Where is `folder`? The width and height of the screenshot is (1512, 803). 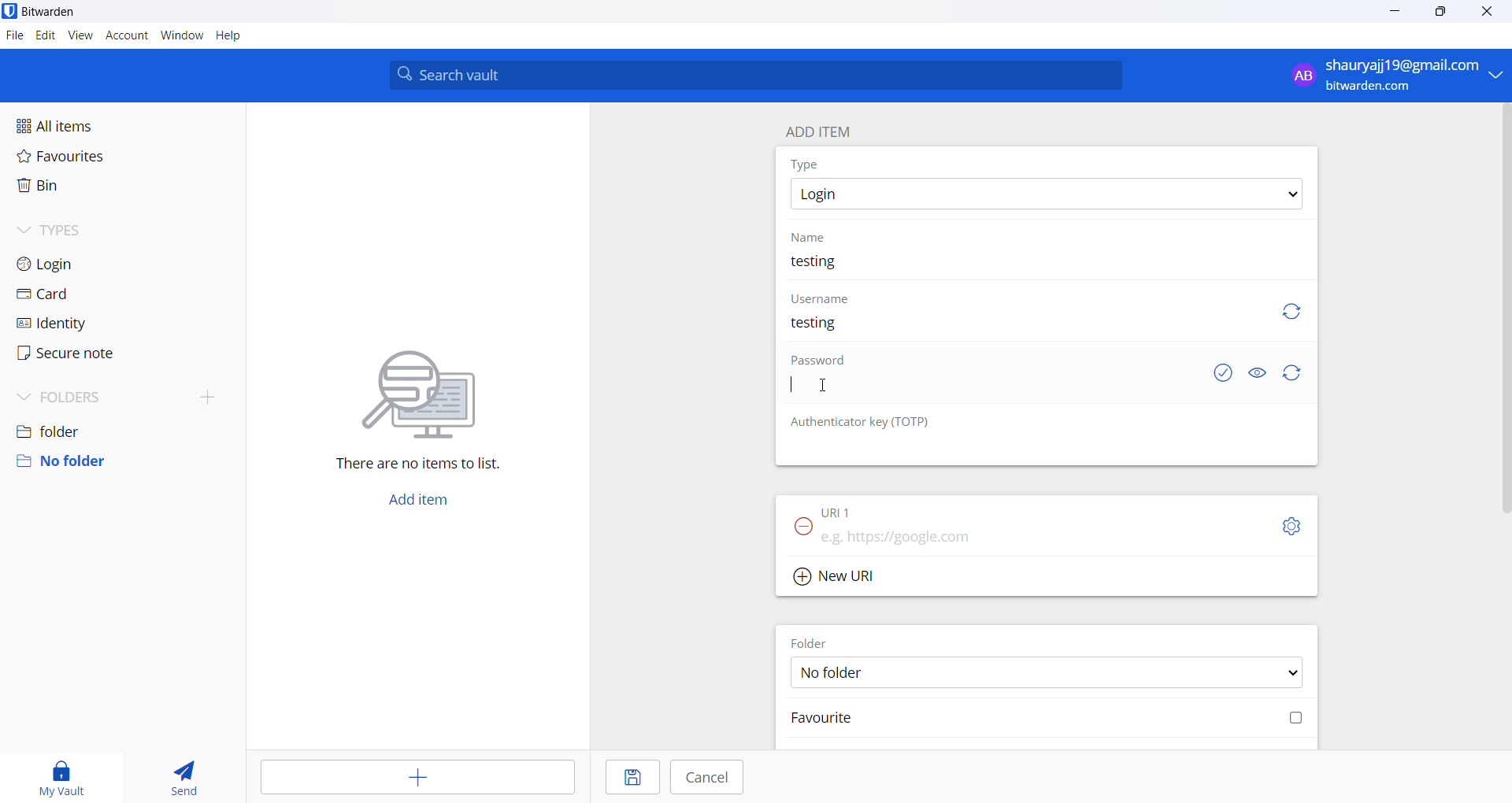
folder is located at coordinates (119, 427).